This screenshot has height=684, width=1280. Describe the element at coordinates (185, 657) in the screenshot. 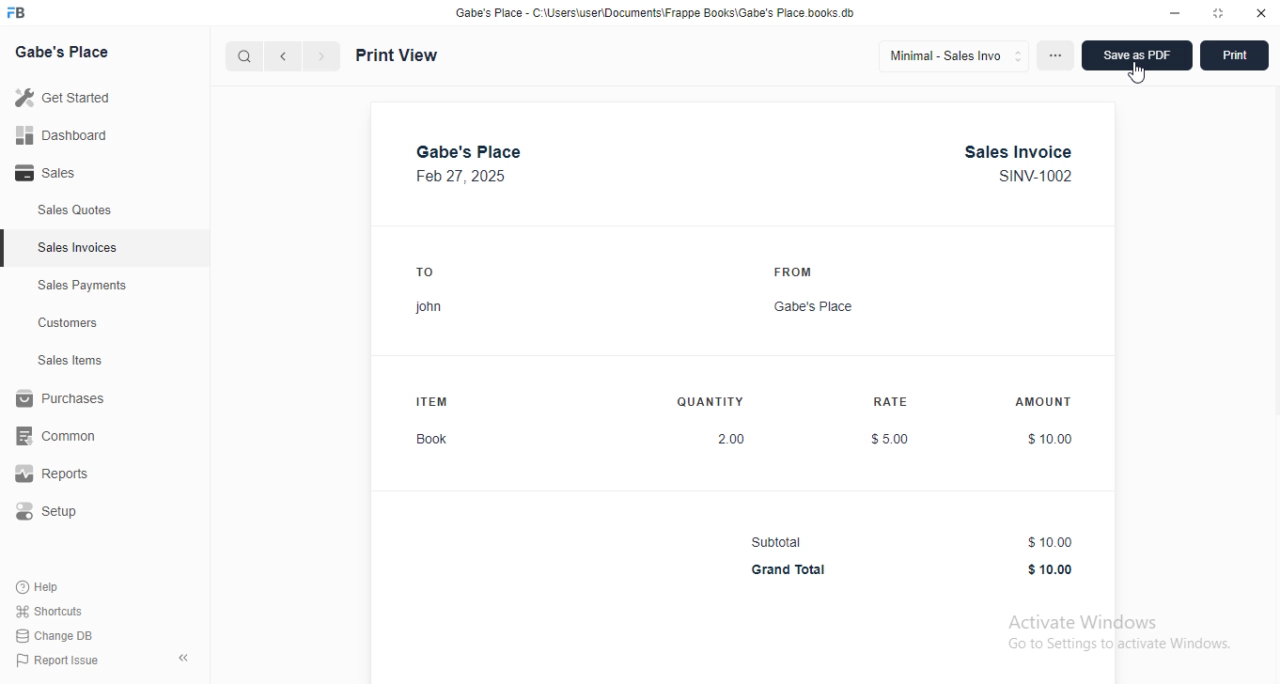

I see `toggle sidebar` at that location.